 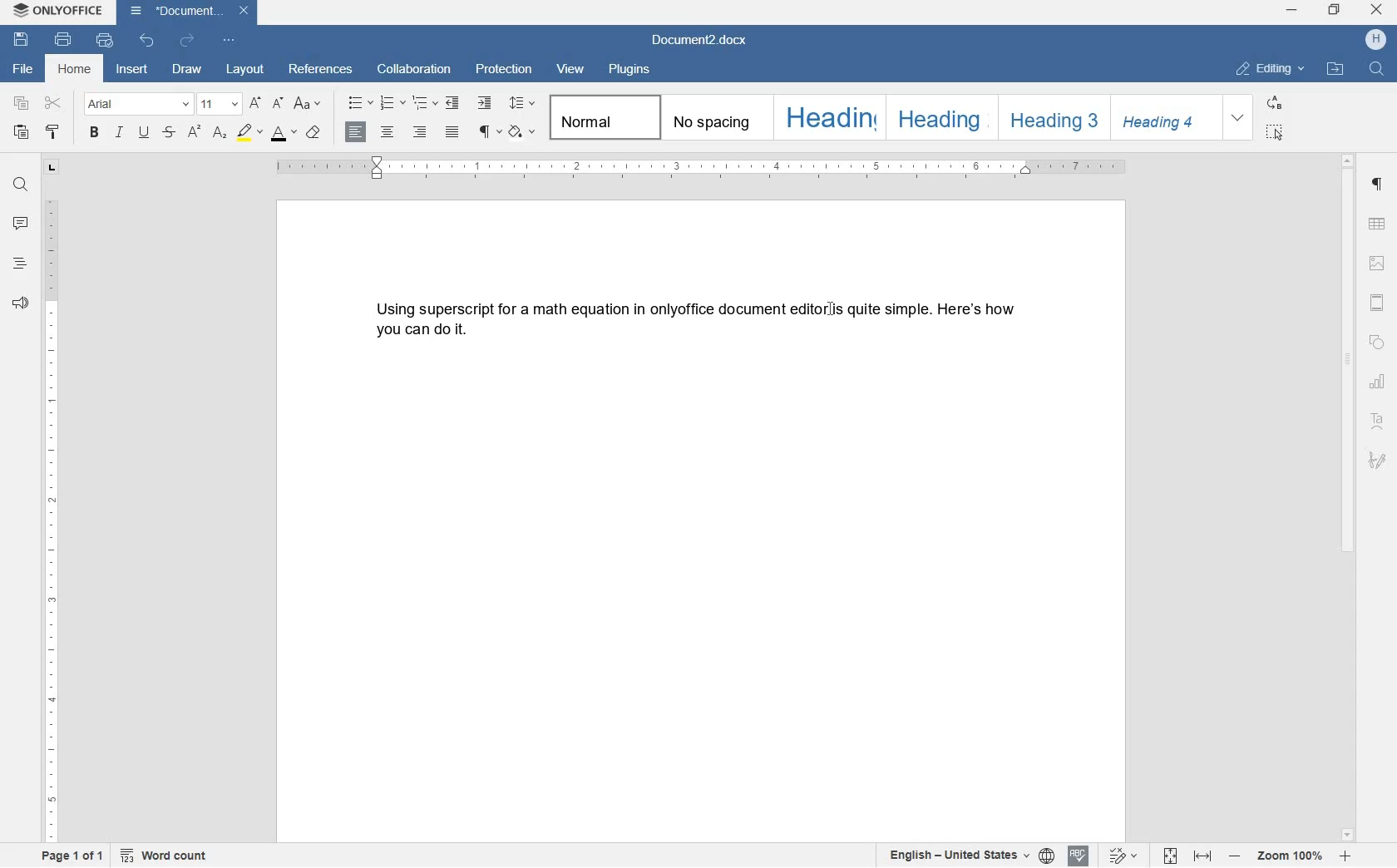 I want to click on HEADING 3, so click(x=1052, y=116).